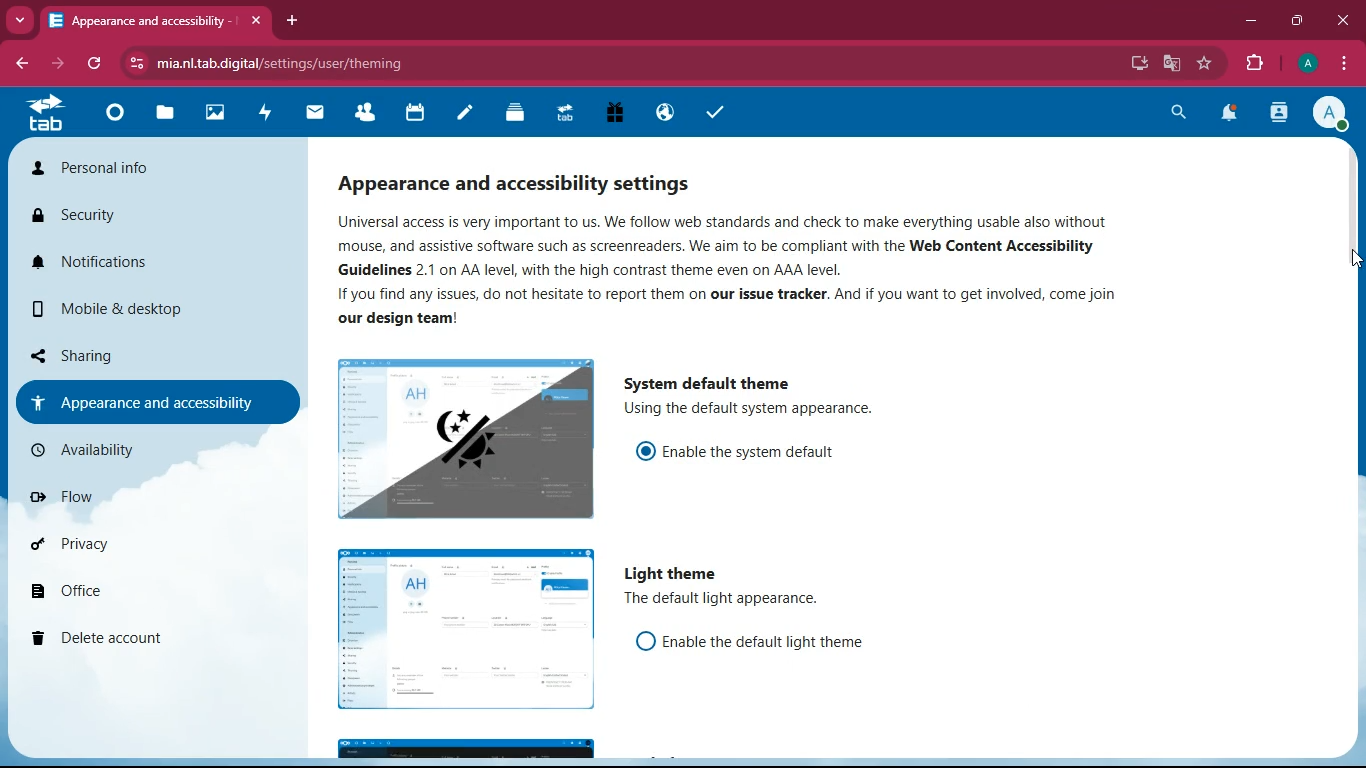  Describe the element at coordinates (1280, 113) in the screenshot. I see `activity` at that location.